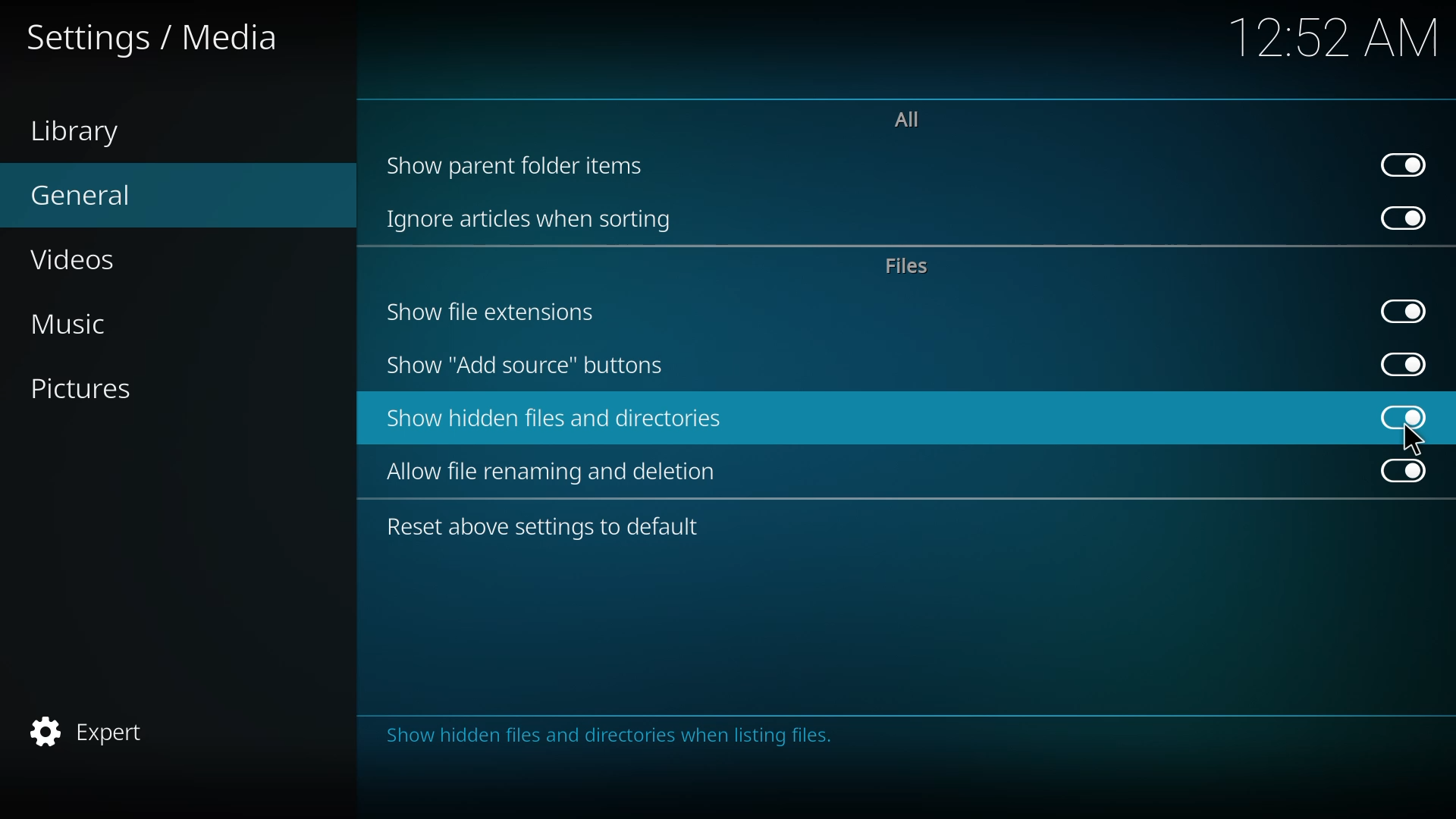  Describe the element at coordinates (519, 166) in the screenshot. I see `show parent folder items` at that location.